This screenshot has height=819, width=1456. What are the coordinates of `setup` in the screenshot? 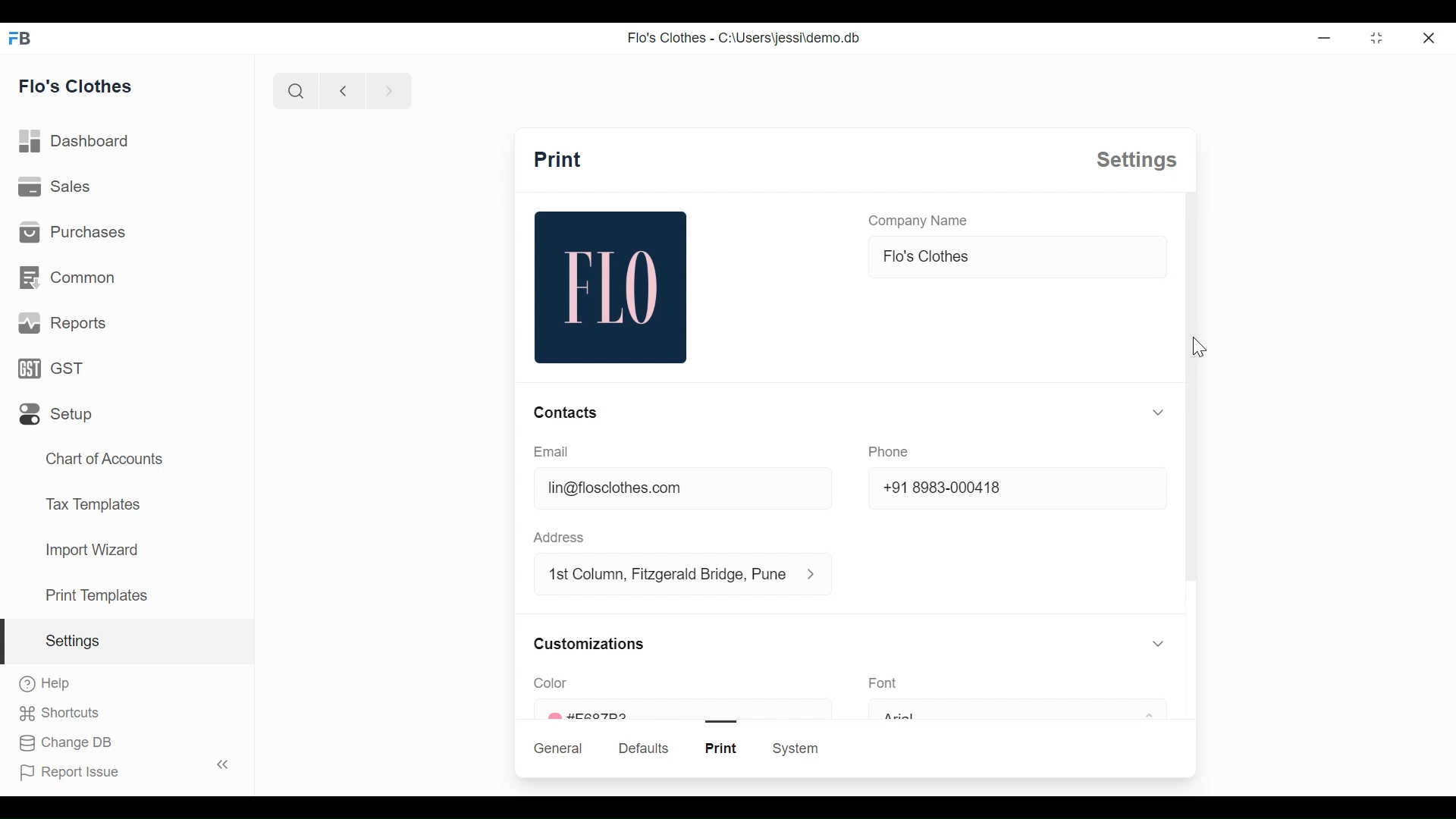 It's located at (56, 415).